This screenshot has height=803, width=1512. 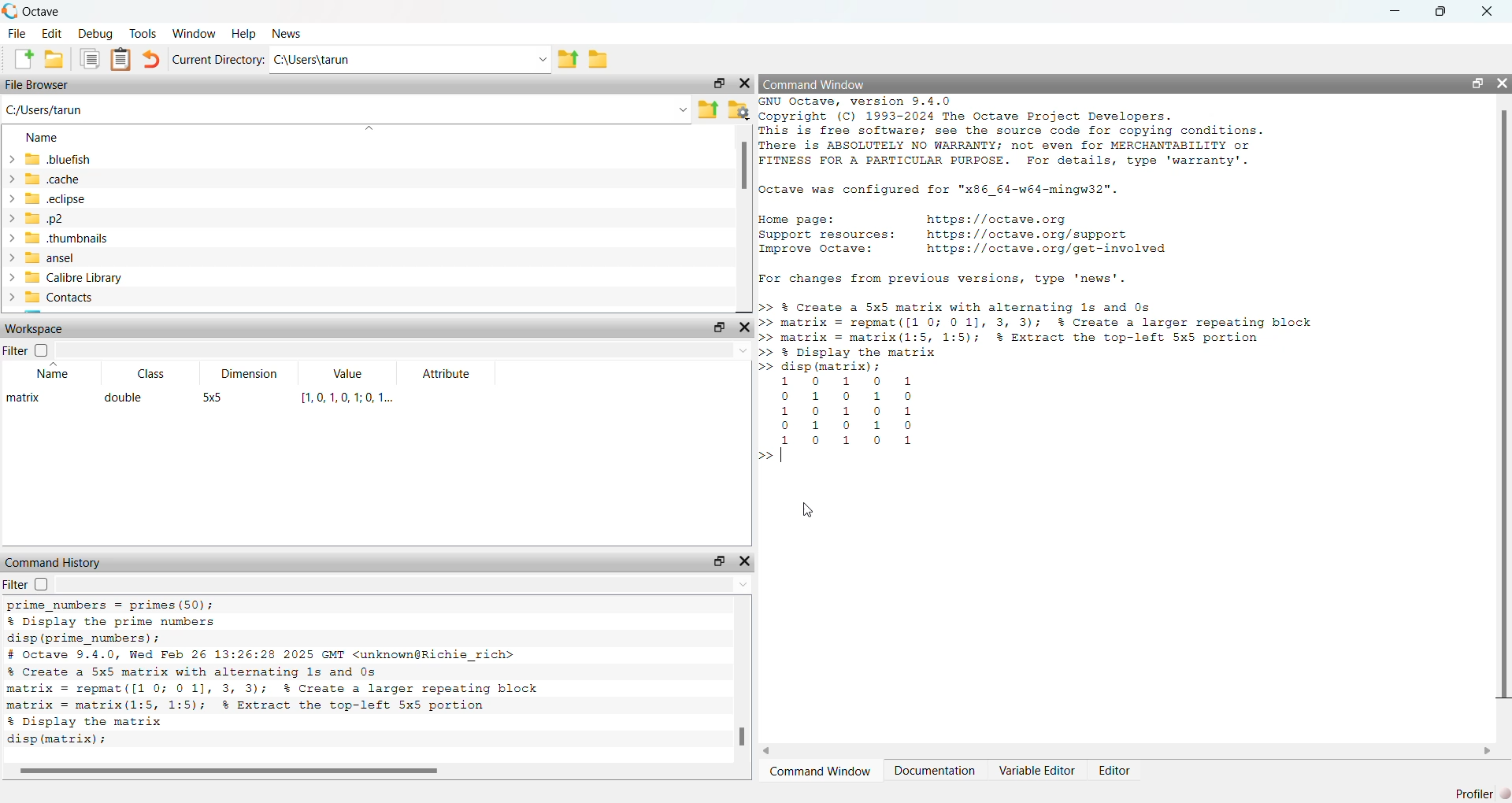 I want to click on Class, so click(x=151, y=373).